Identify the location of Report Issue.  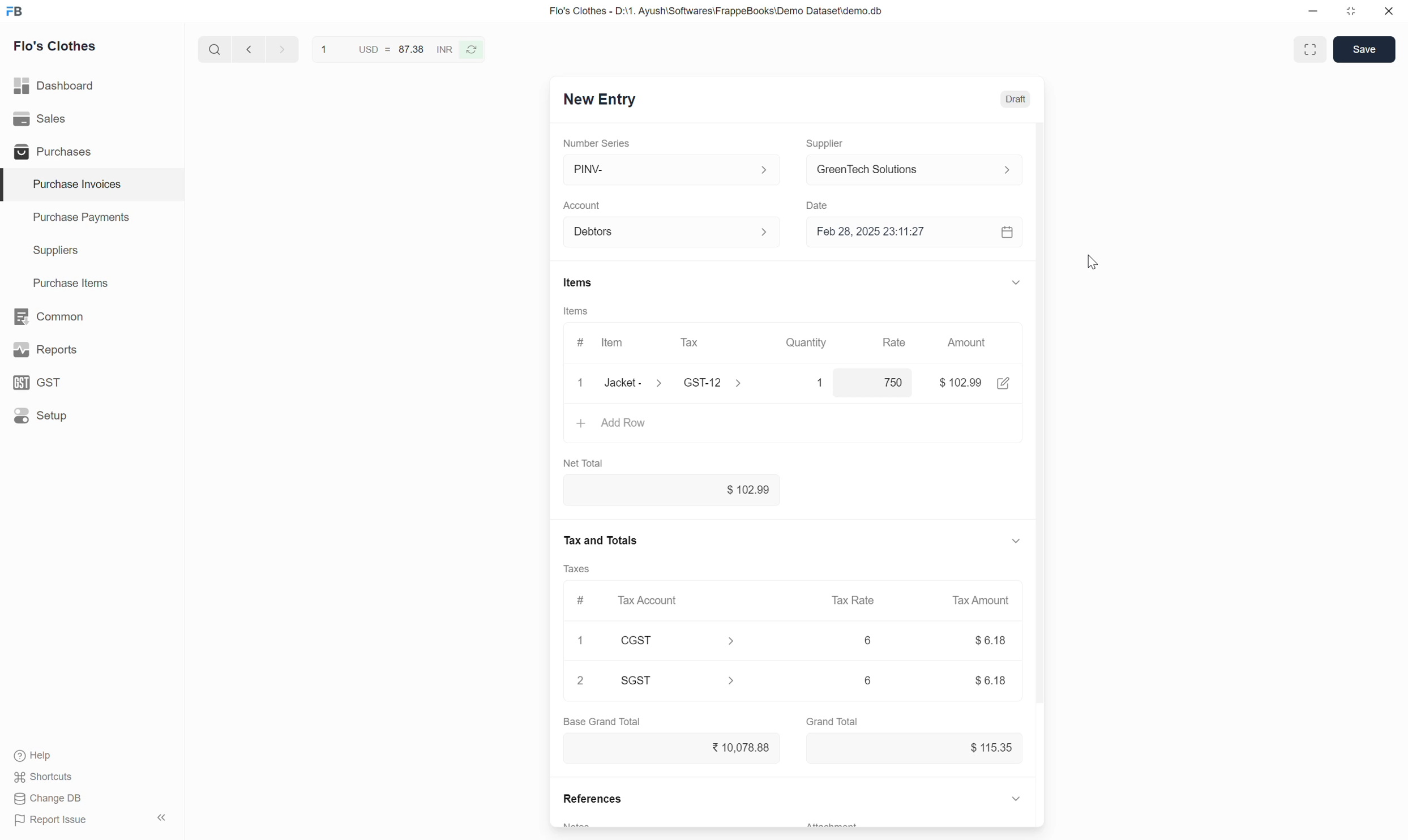
(51, 820).